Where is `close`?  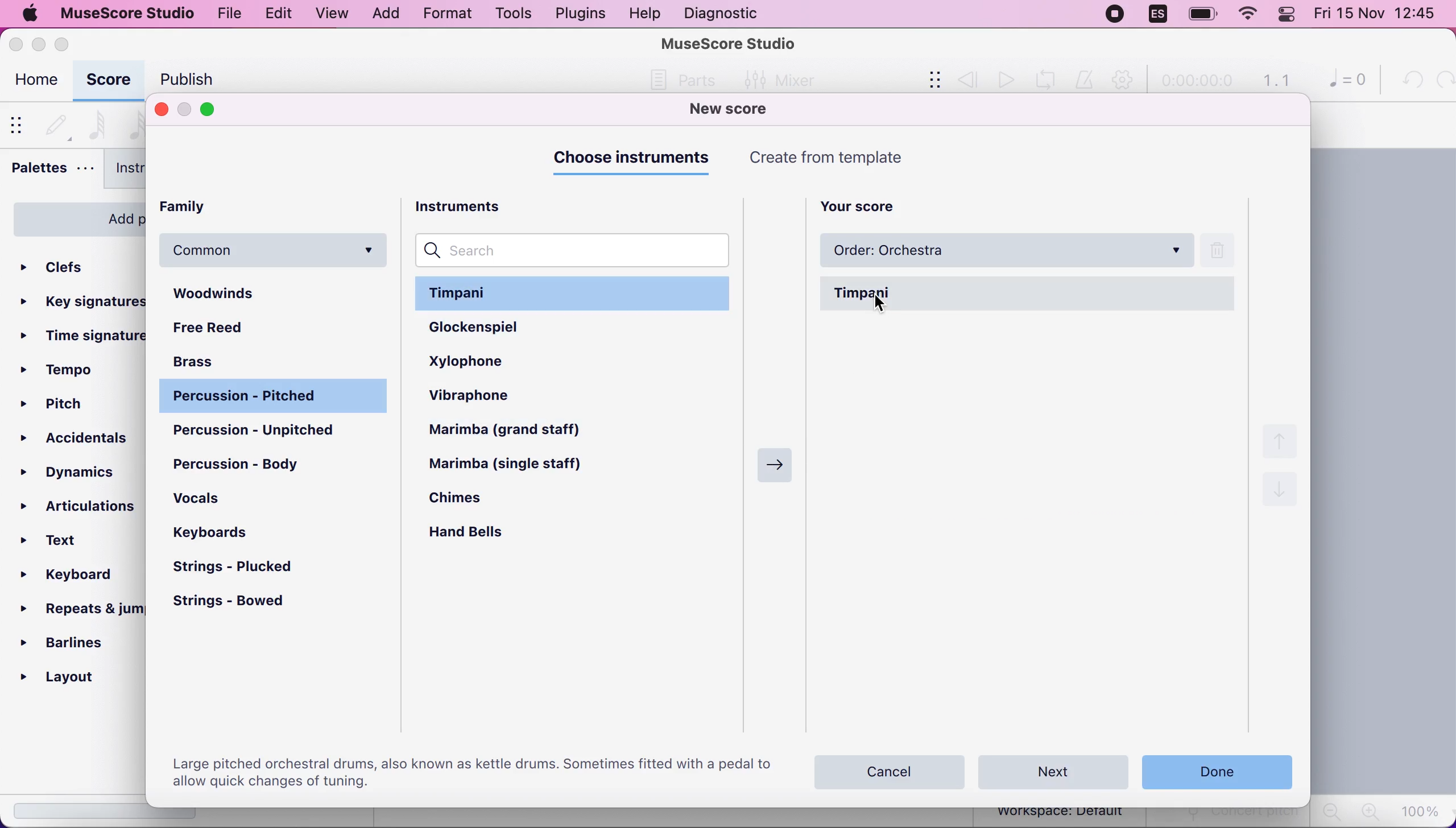
close is located at coordinates (161, 109).